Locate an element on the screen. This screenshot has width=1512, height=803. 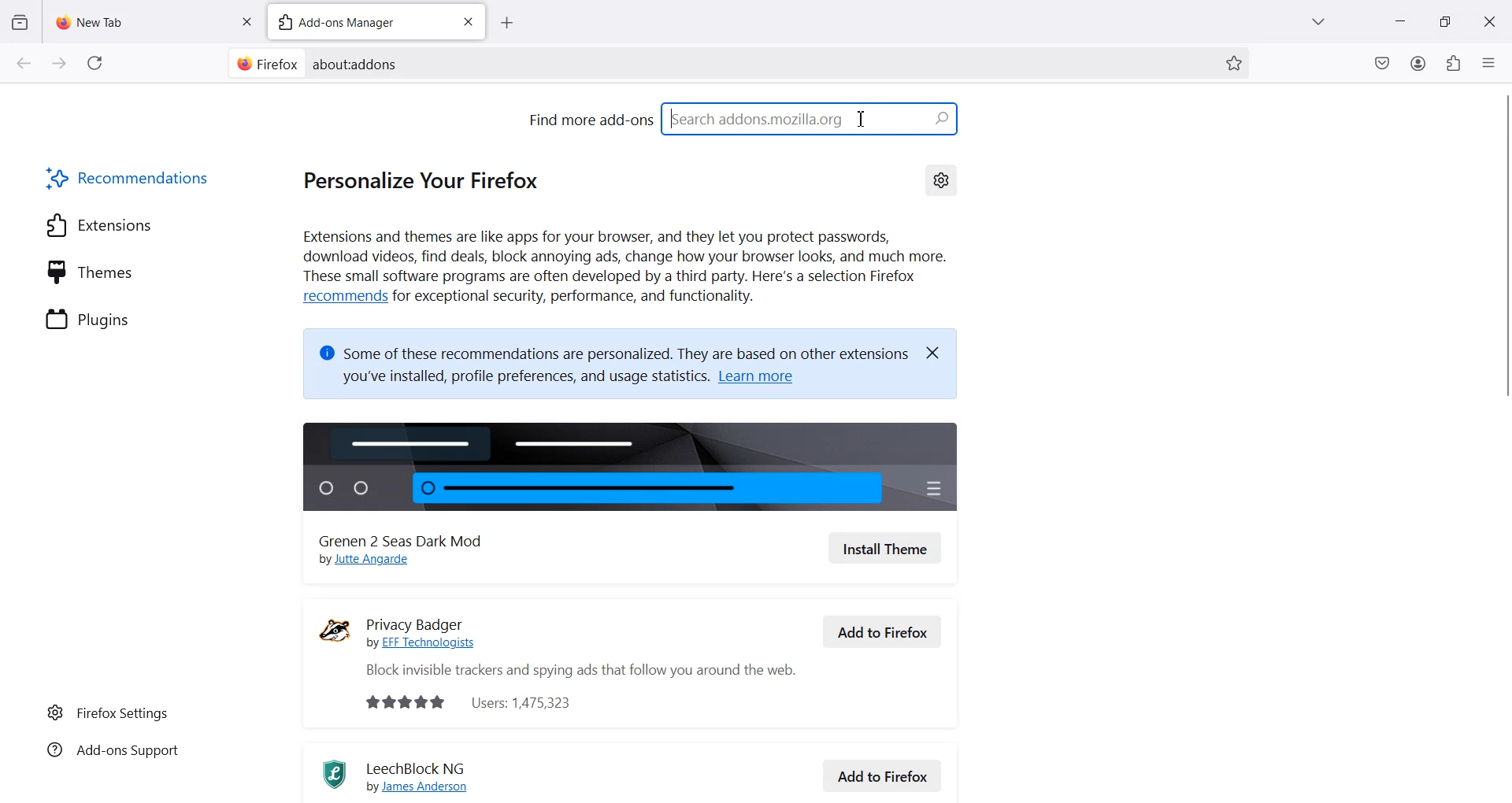
Open Application Menu is located at coordinates (1490, 59).